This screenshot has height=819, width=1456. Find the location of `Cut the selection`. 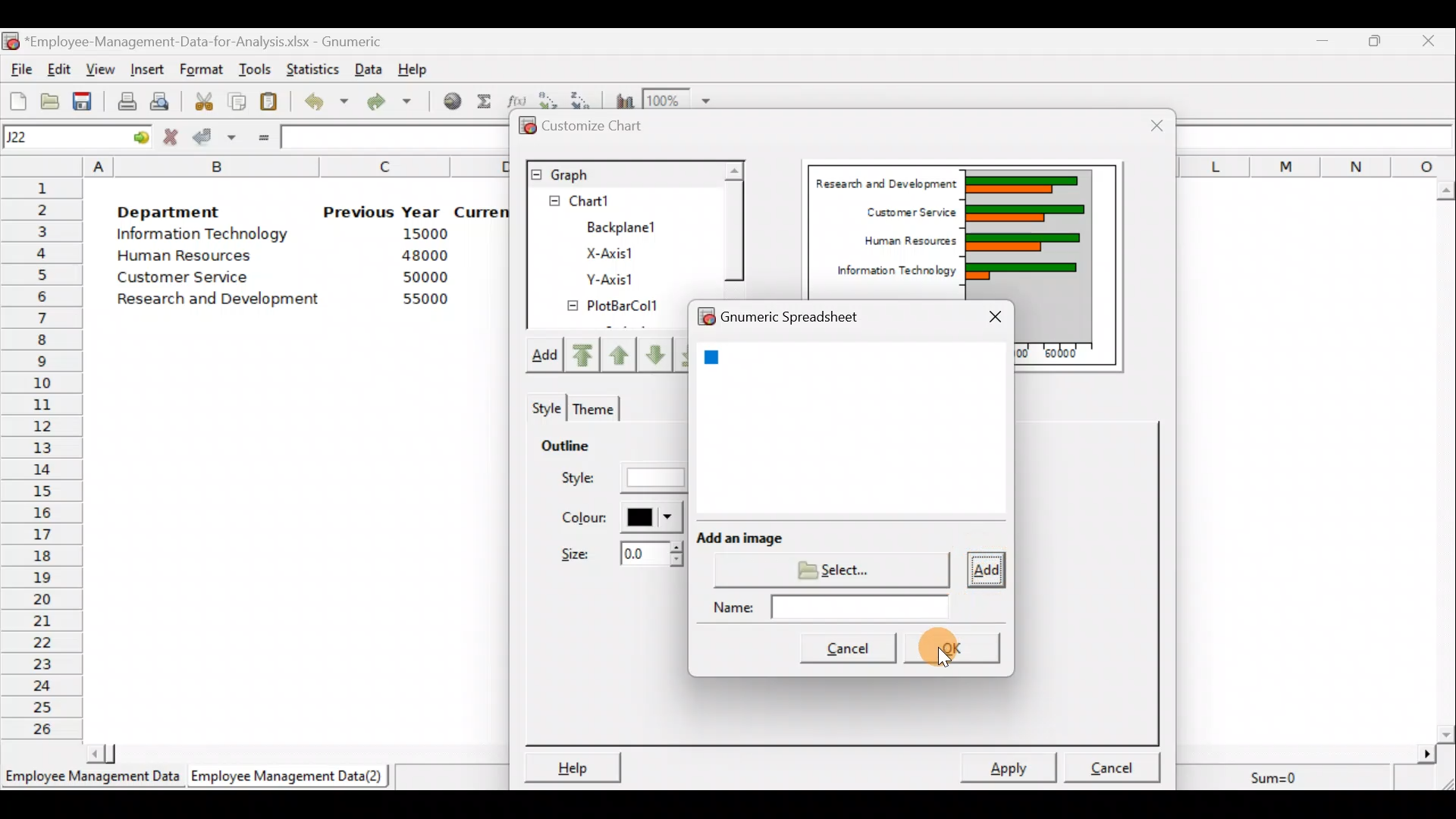

Cut the selection is located at coordinates (206, 104).